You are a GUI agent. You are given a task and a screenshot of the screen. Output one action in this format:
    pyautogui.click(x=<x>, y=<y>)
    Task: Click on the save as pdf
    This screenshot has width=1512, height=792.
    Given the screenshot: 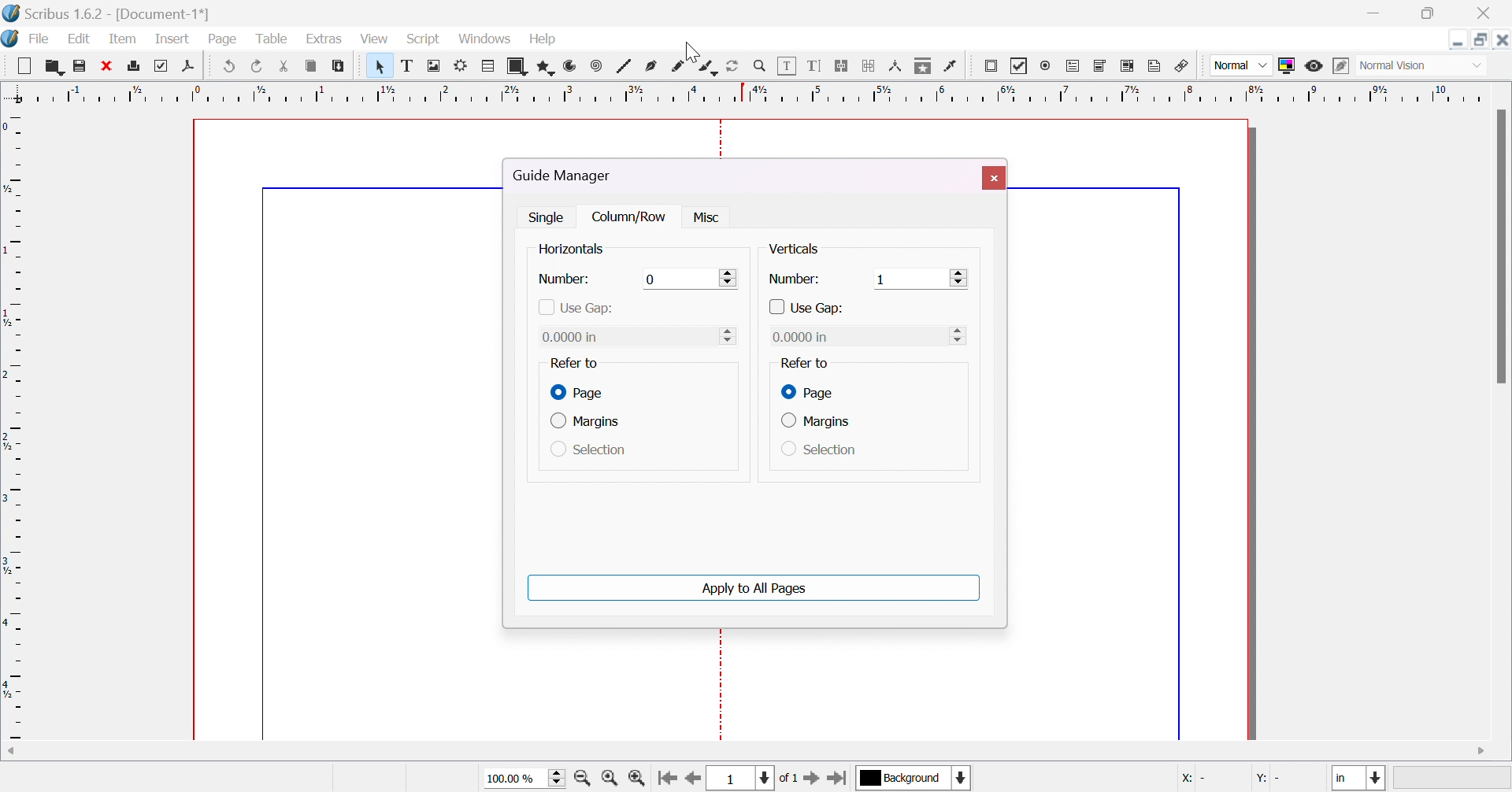 What is the action you would take?
    pyautogui.click(x=194, y=65)
    